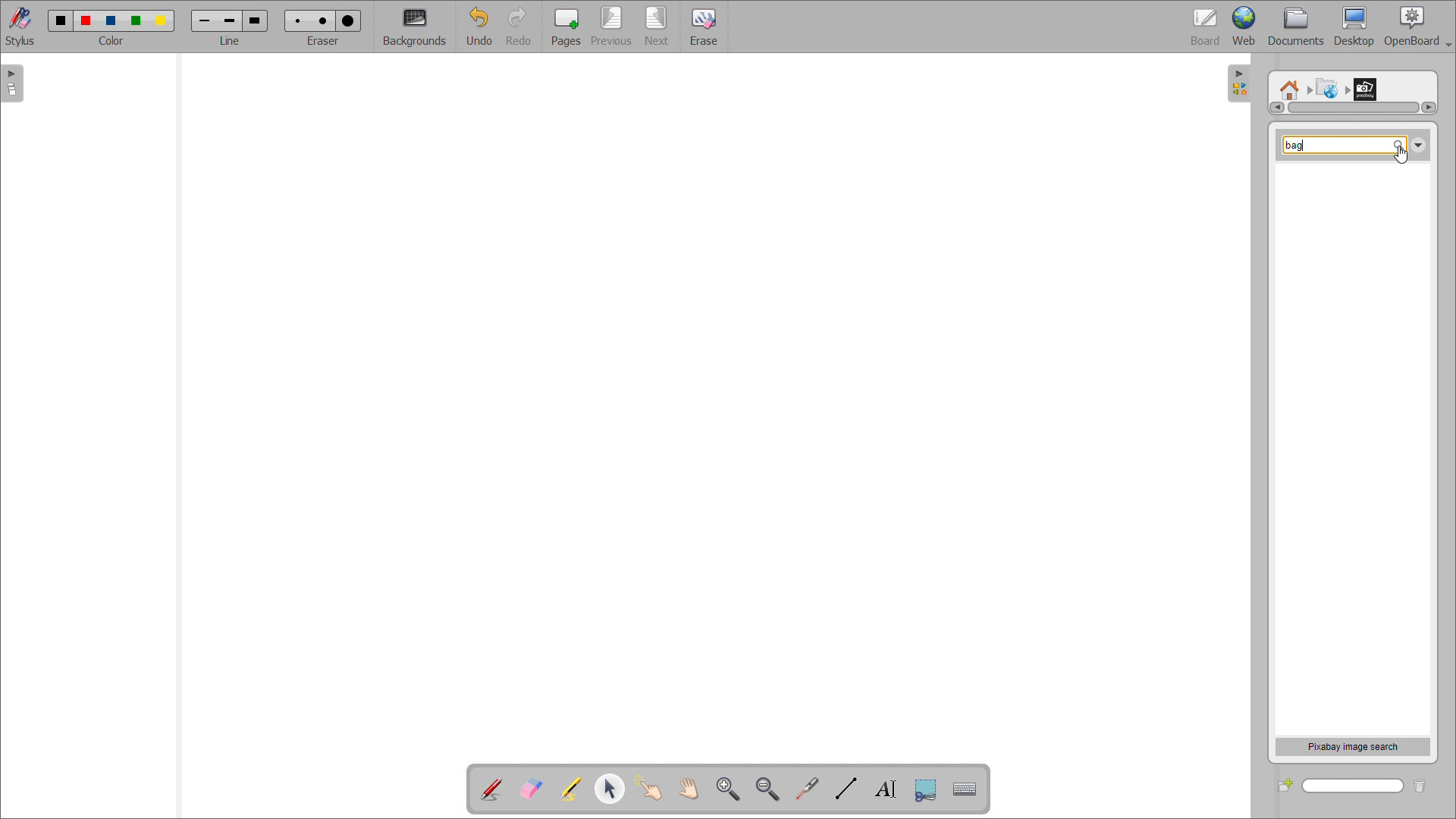  Describe the element at coordinates (807, 789) in the screenshot. I see `virtual laser pointer` at that location.